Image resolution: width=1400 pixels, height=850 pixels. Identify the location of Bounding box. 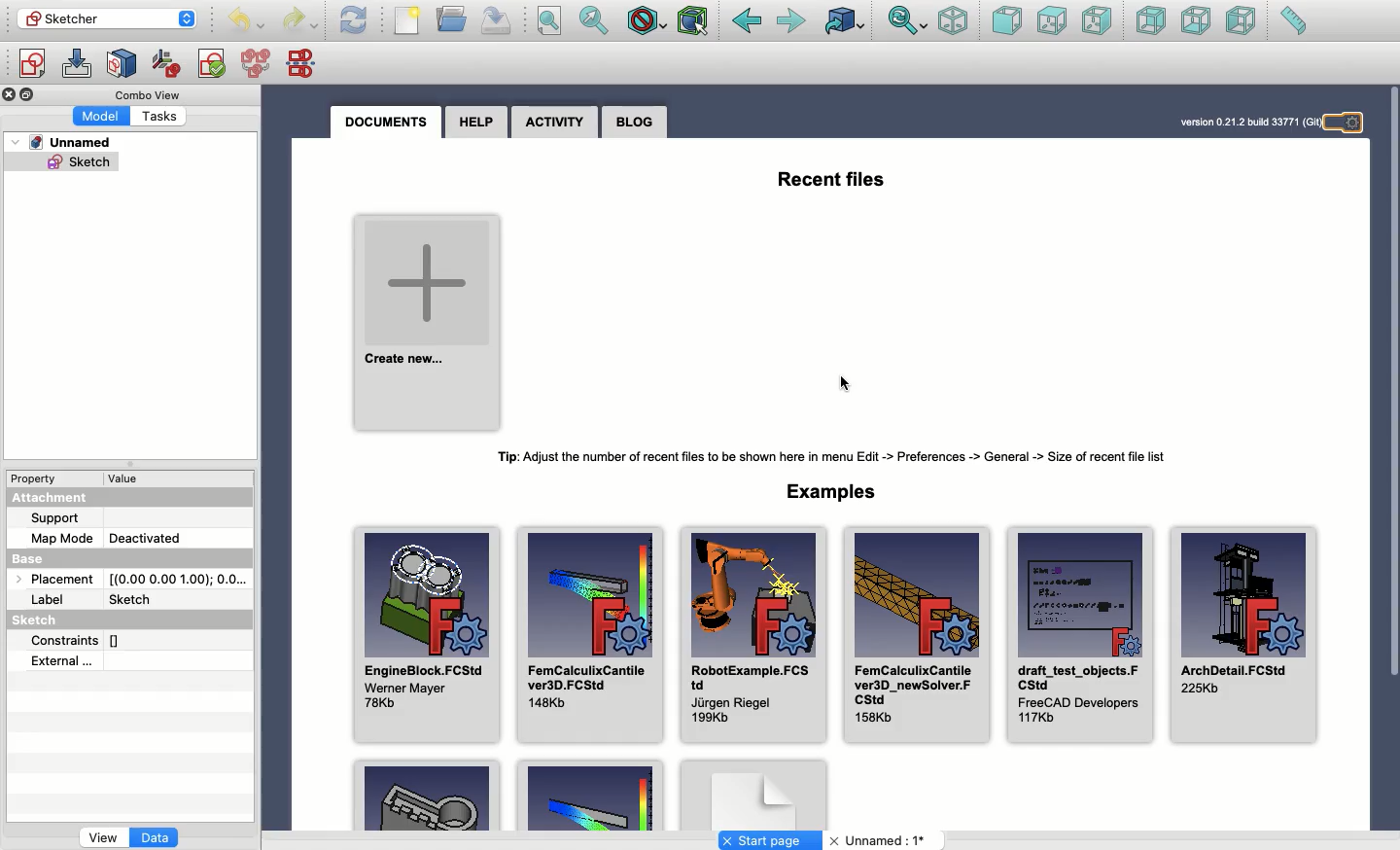
(695, 19).